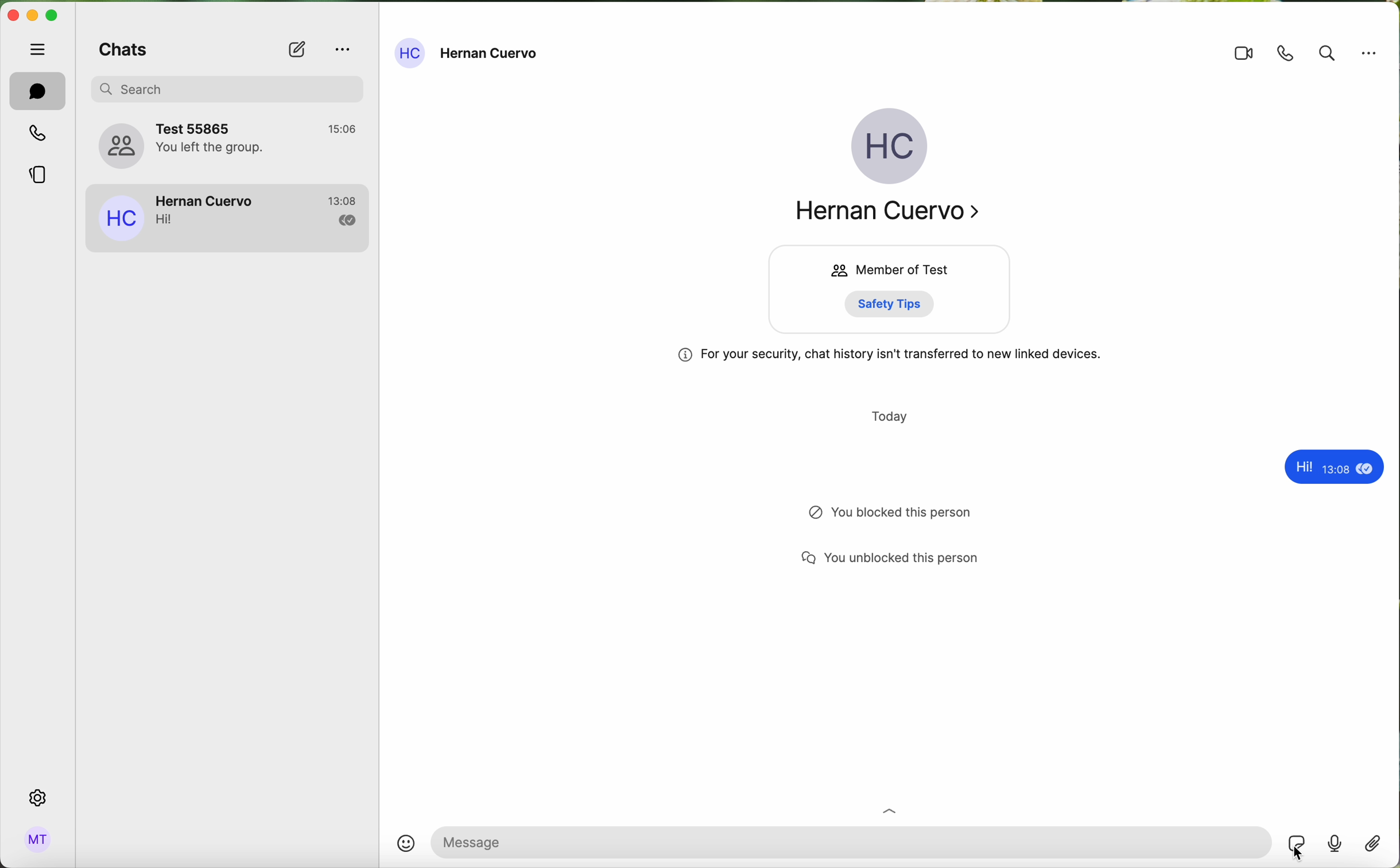 Image resolution: width=1400 pixels, height=868 pixels. Describe the element at coordinates (888, 148) in the screenshot. I see `Hc` at that location.